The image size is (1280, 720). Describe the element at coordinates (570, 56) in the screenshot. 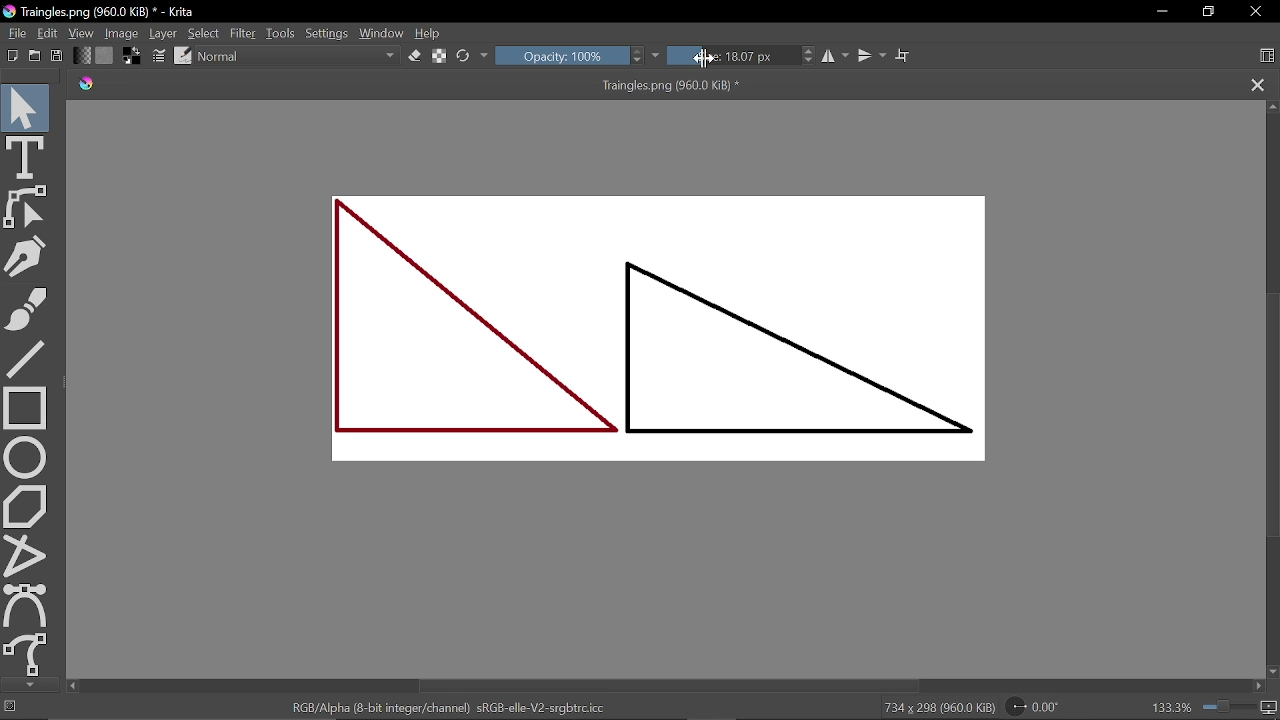

I see `Opacity: 100%` at that location.